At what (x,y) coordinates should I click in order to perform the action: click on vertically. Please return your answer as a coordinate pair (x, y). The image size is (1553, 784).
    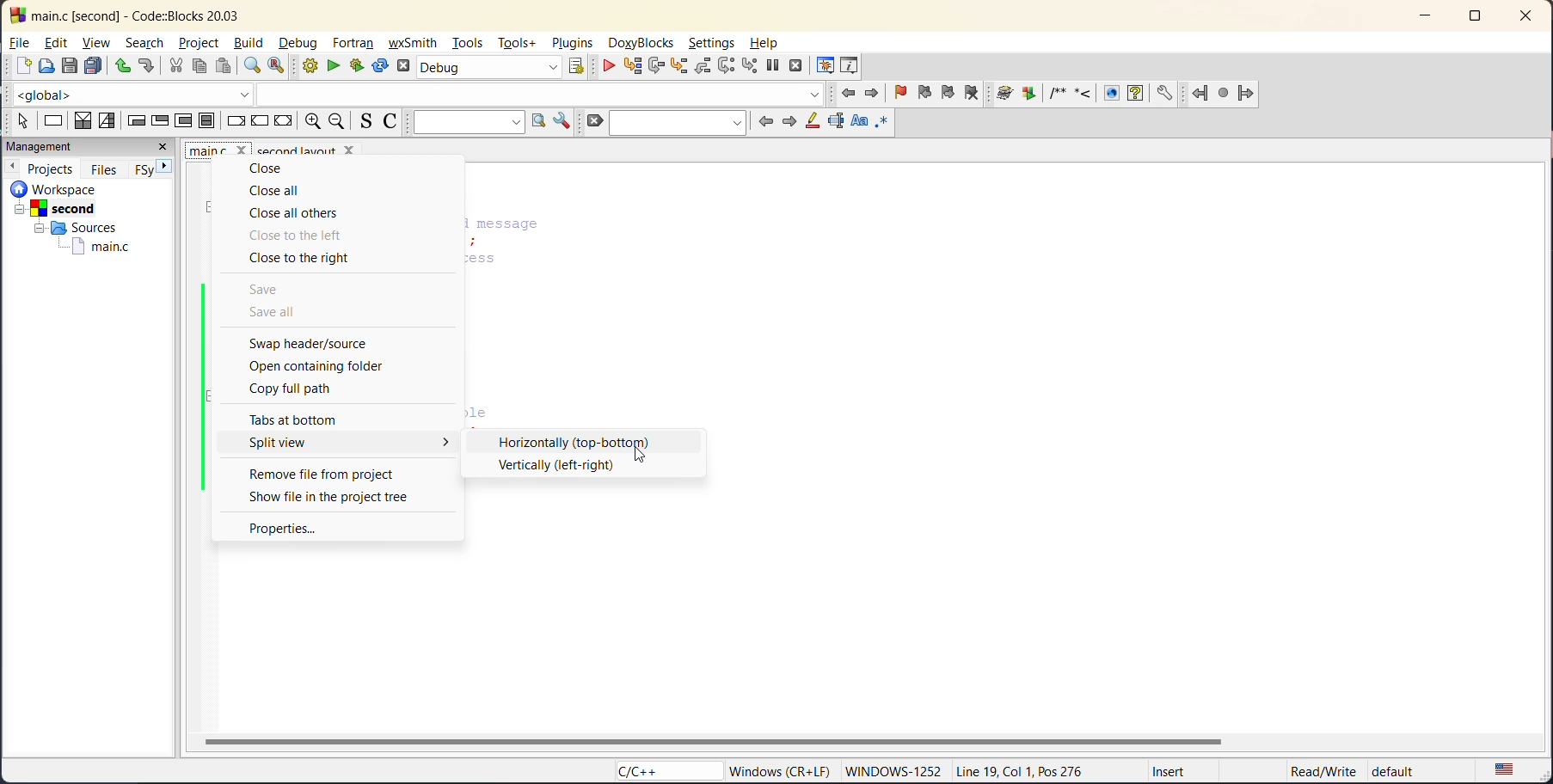
    Looking at the image, I should click on (557, 466).